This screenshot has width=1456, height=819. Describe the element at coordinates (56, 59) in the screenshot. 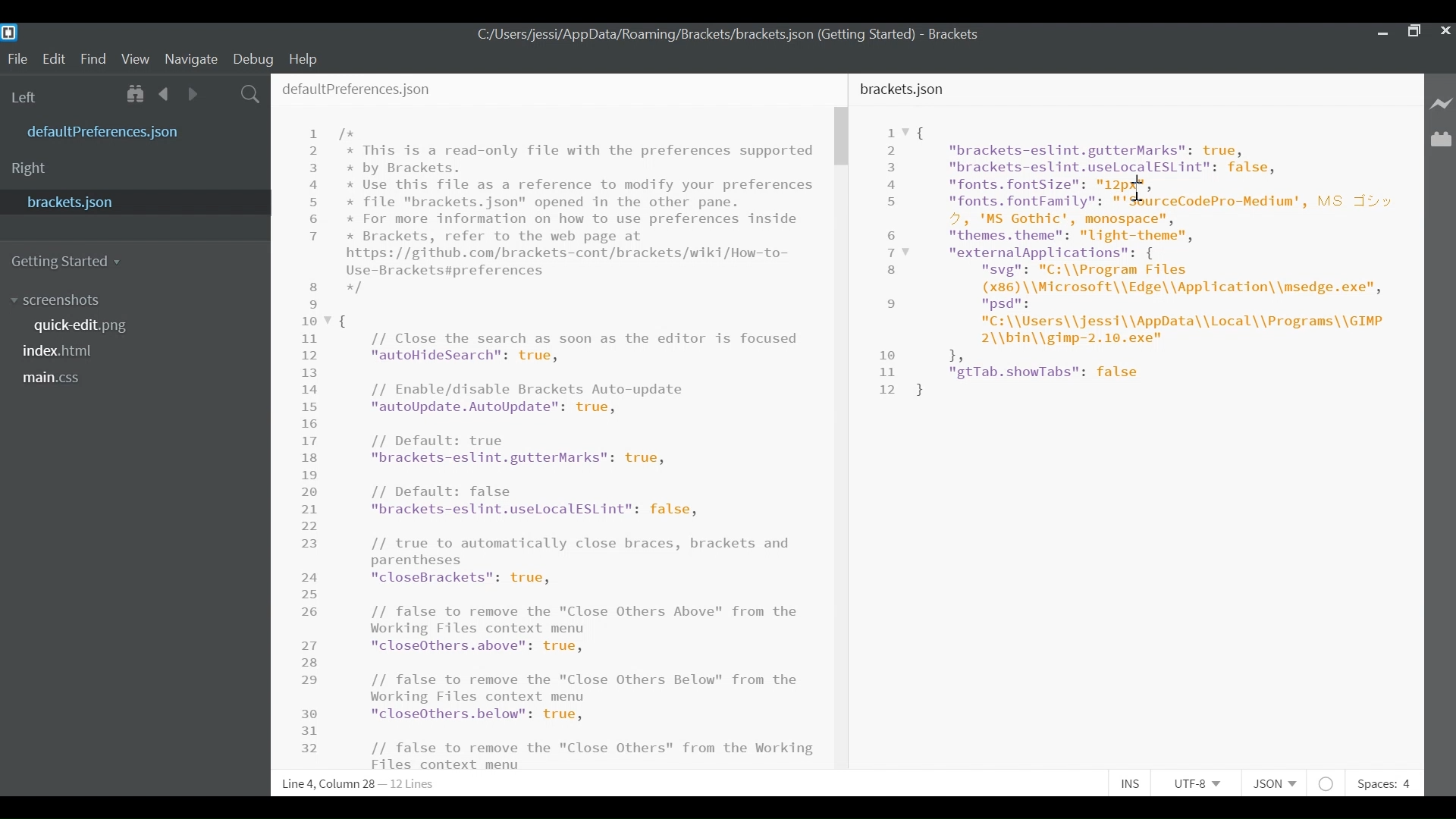

I see `Edit` at that location.